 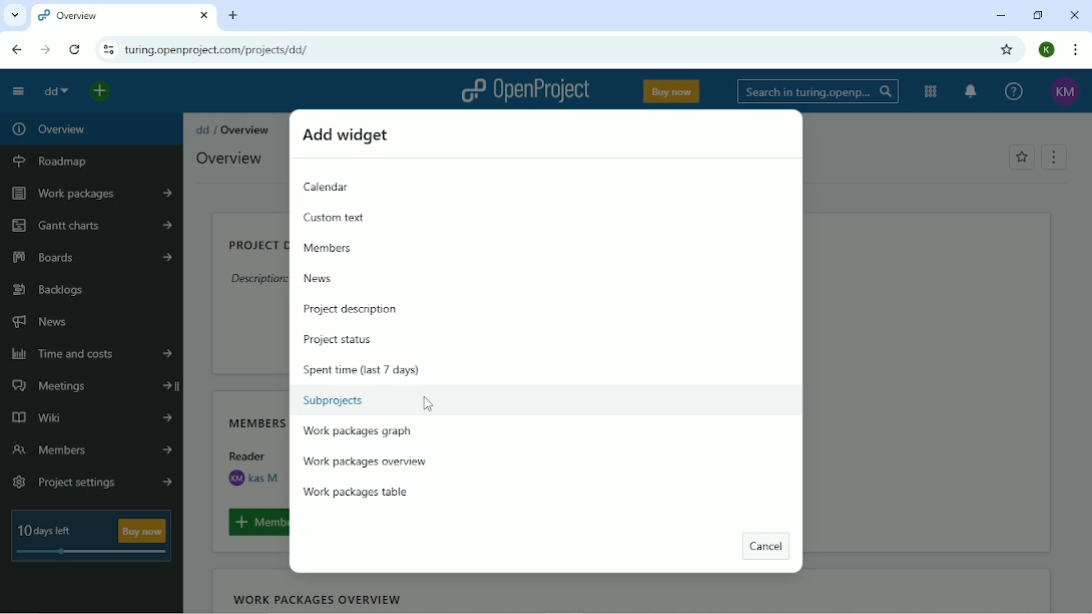 I want to click on Spent time, so click(x=362, y=370).